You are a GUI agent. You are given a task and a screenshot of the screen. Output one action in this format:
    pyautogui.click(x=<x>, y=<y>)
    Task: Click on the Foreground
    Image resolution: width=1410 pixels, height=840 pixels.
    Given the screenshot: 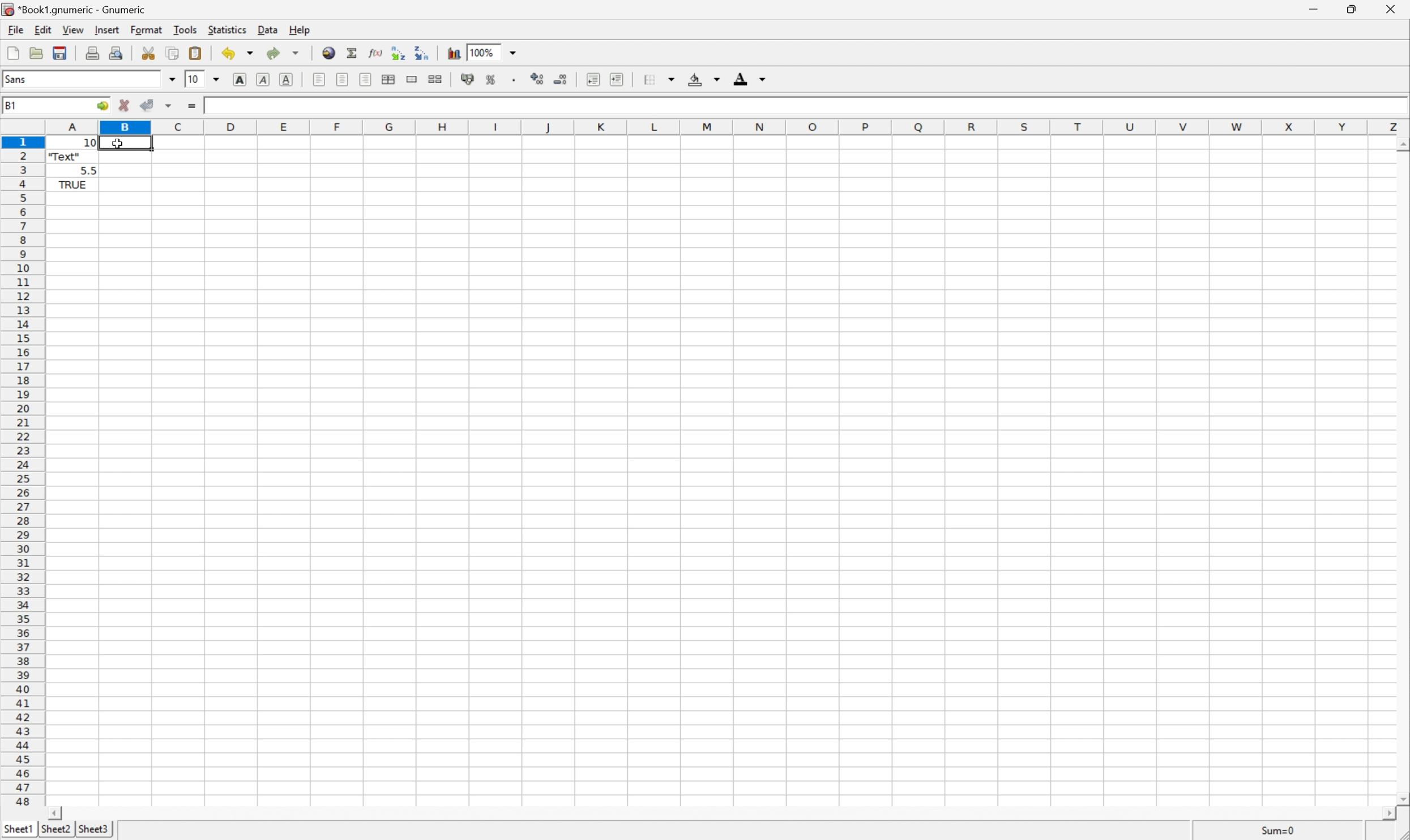 What is the action you would take?
    pyautogui.click(x=752, y=78)
    